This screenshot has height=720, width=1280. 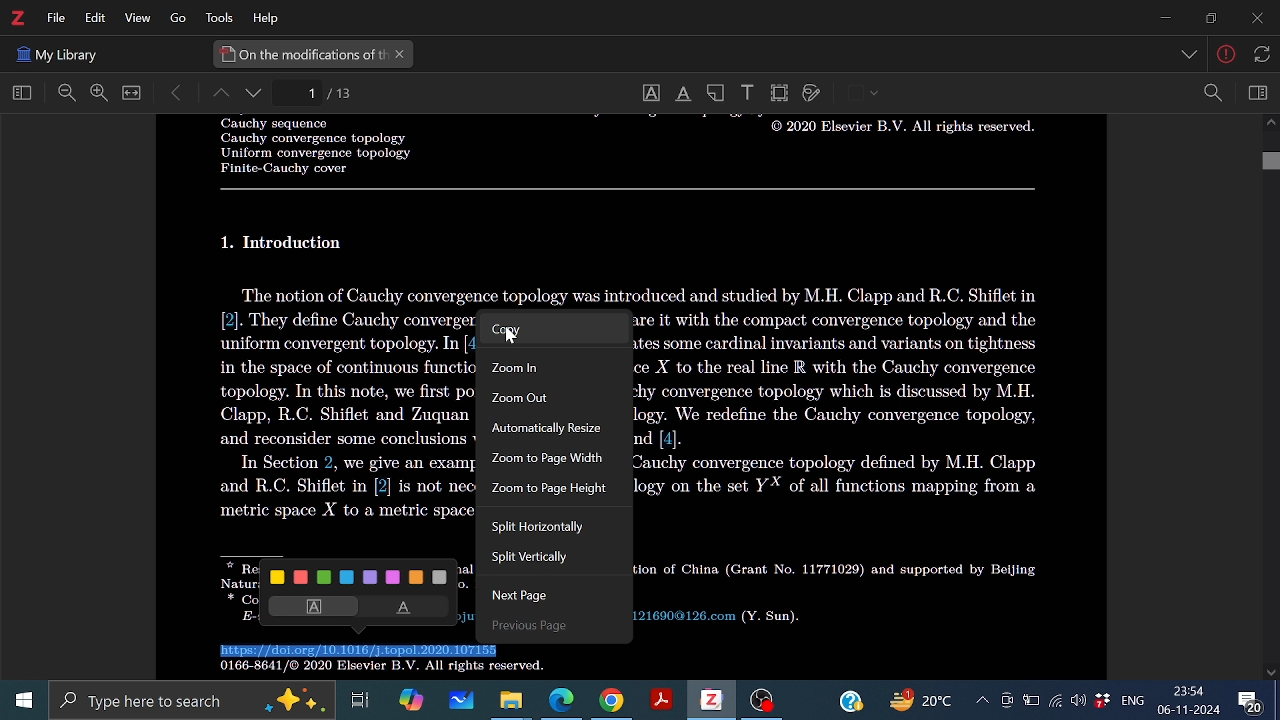 What do you see at coordinates (682, 94) in the screenshot?
I see `Underline text` at bounding box center [682, 94].